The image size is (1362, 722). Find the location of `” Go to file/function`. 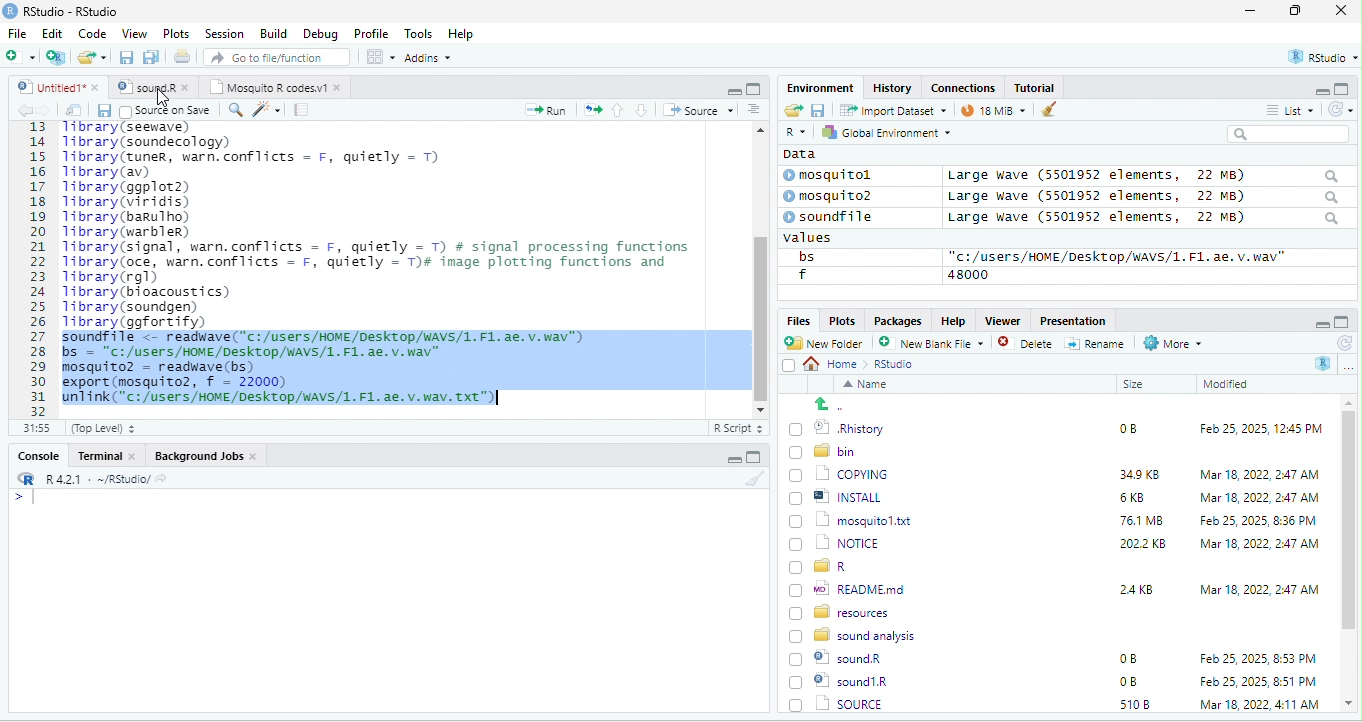

” Go to file/function is located at coordinates (278, 59).